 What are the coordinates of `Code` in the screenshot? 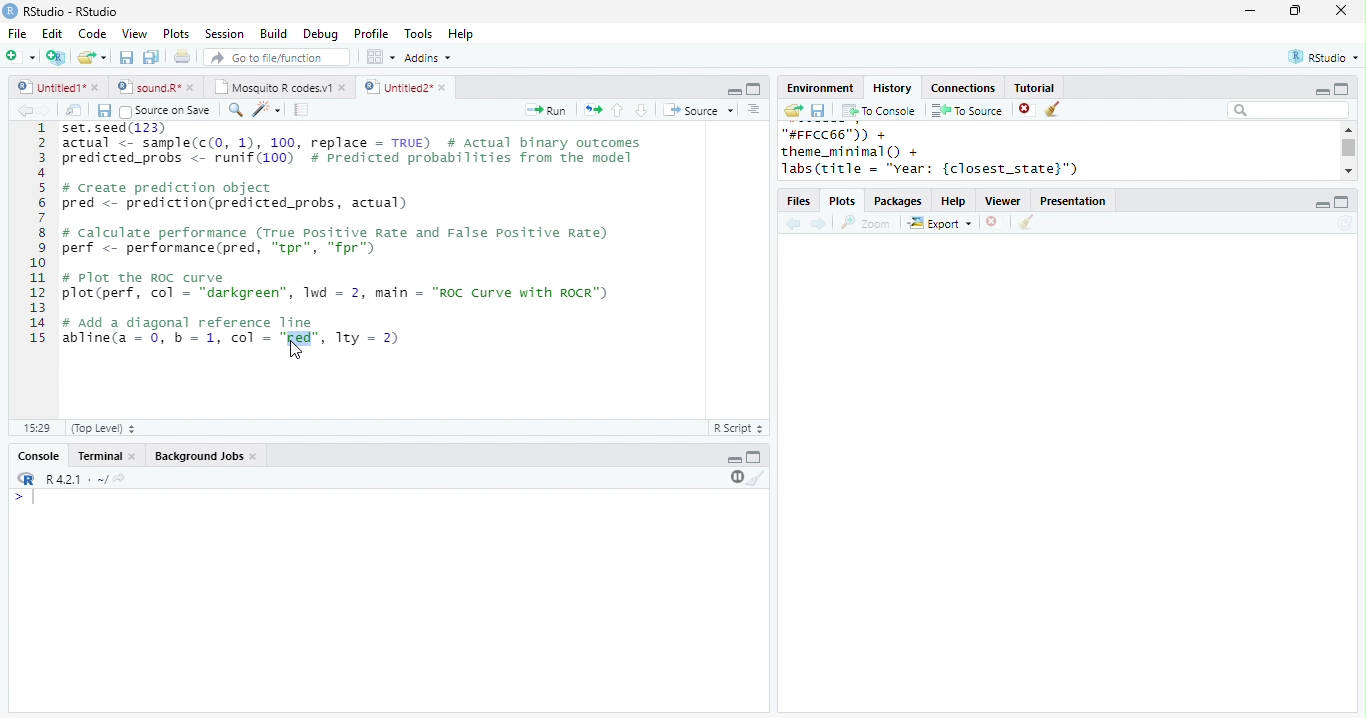 It's located at (92, 33).